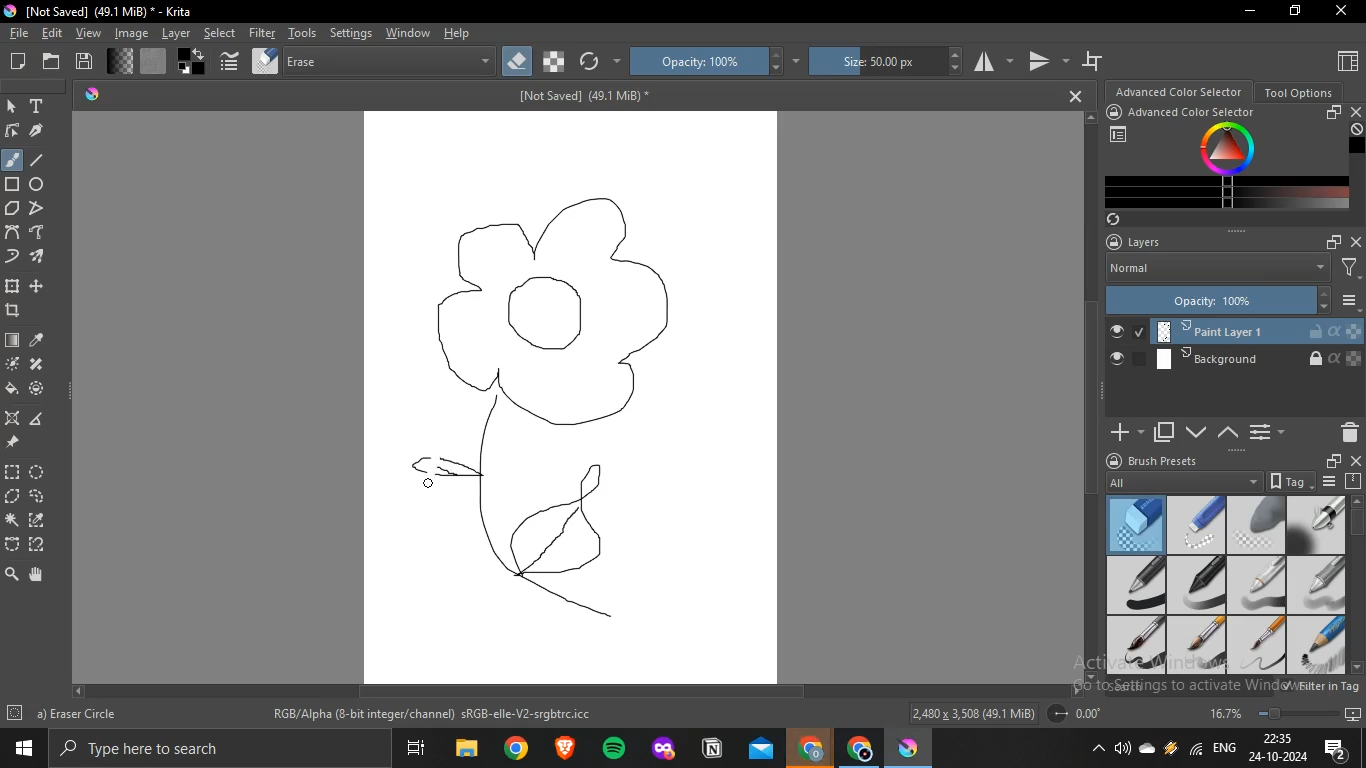  I want to click on Hidebar, so click(1096, 748).